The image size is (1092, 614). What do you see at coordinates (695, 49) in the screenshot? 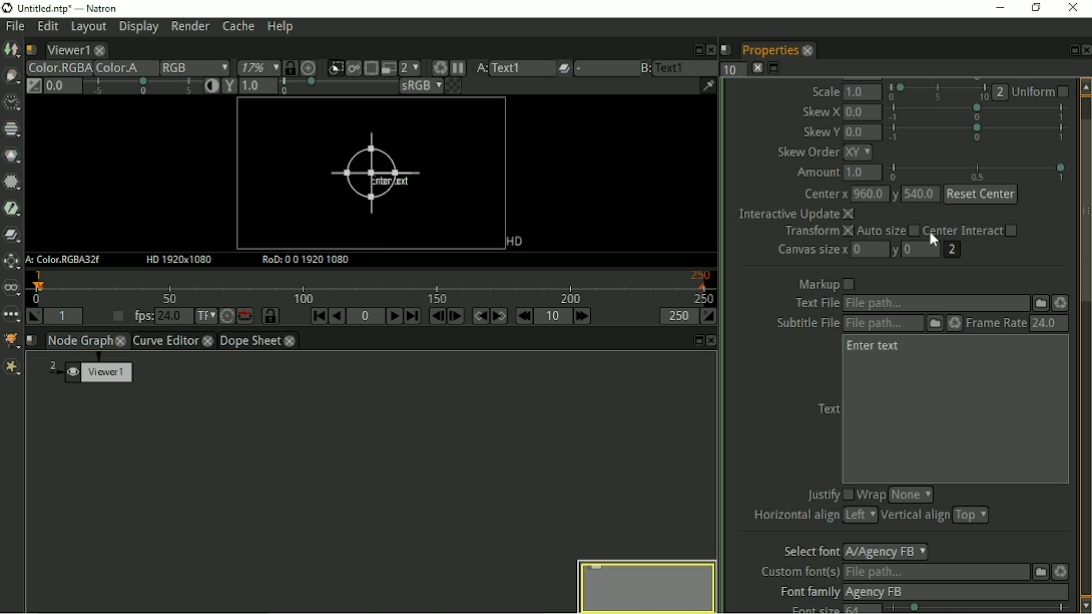
I see `Float pane` at bounding box center [695, 49].